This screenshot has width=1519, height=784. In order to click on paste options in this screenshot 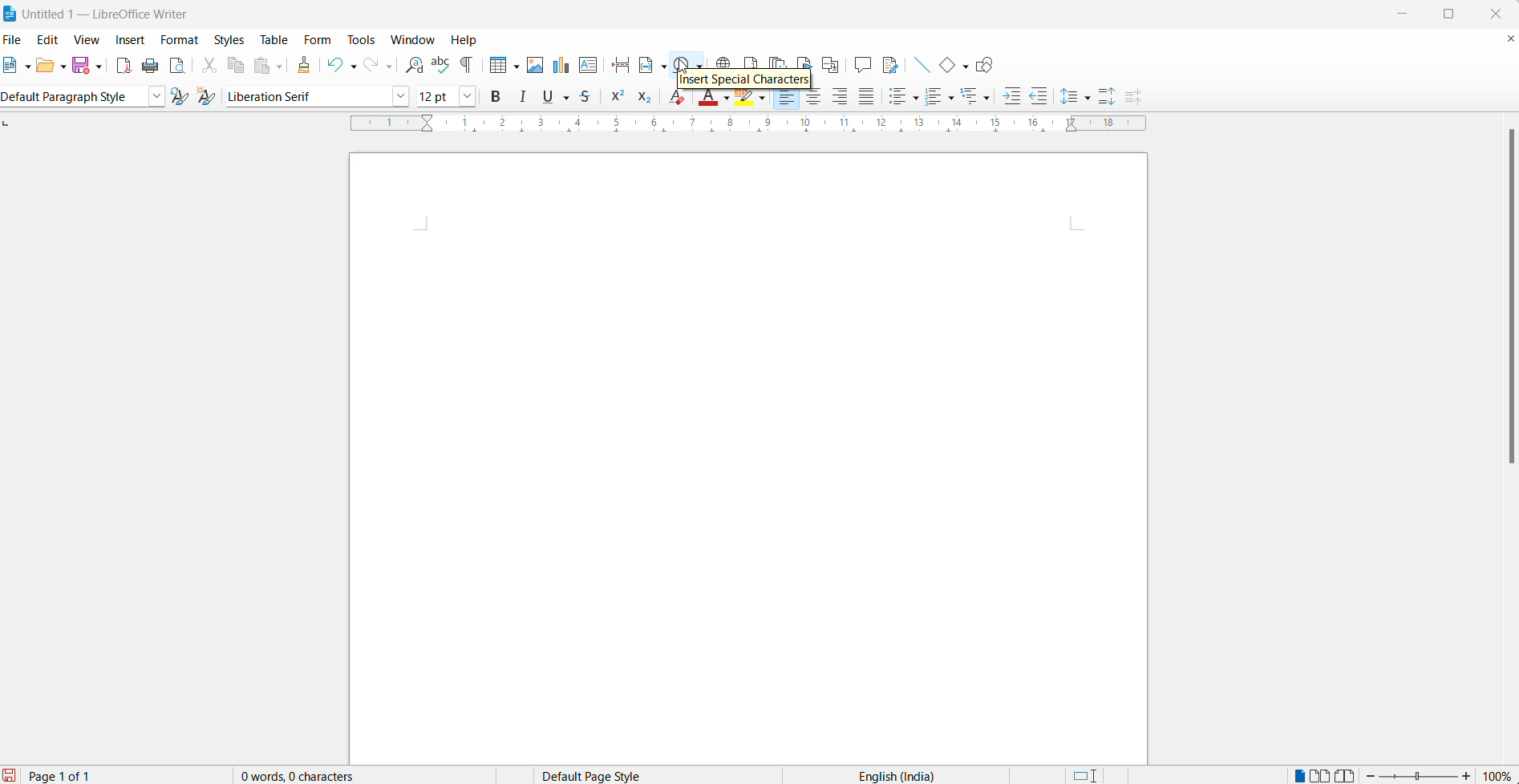, I will do `click(283, 66)`.